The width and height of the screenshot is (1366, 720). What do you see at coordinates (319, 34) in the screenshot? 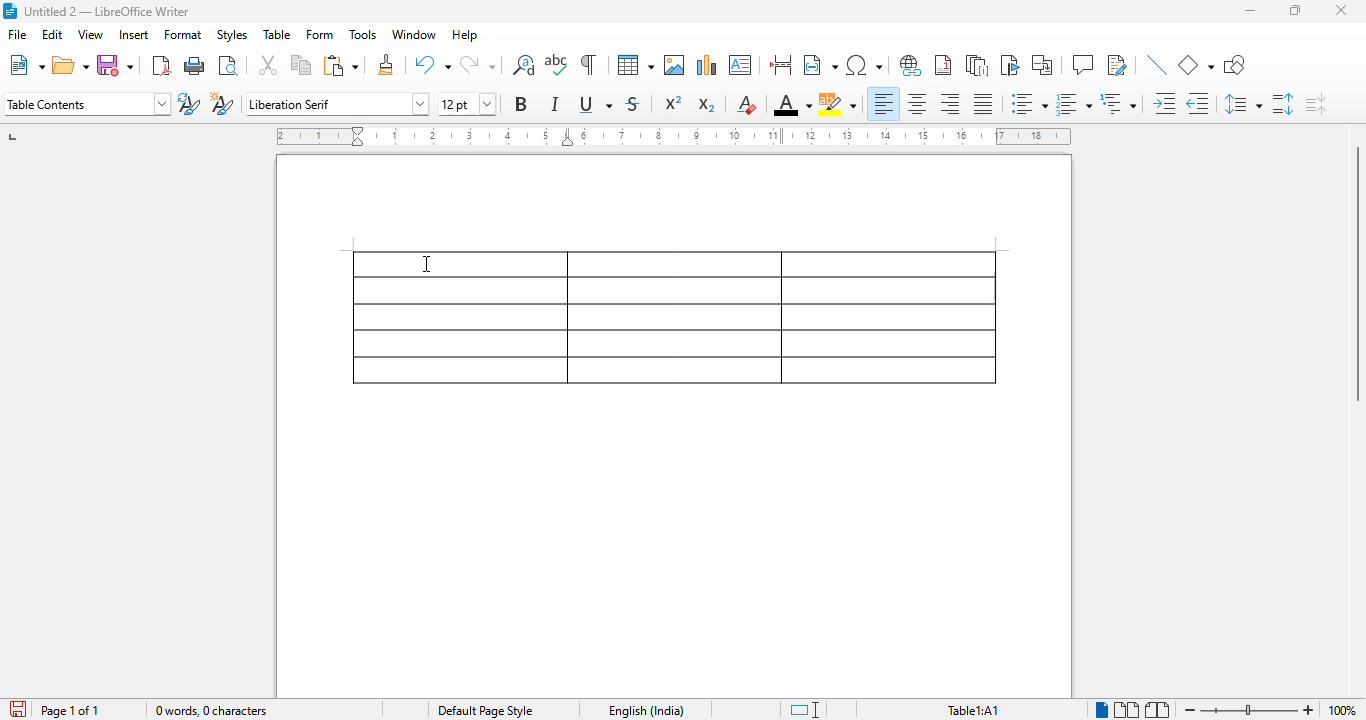
I see `form` at bounding box center [319, 34].